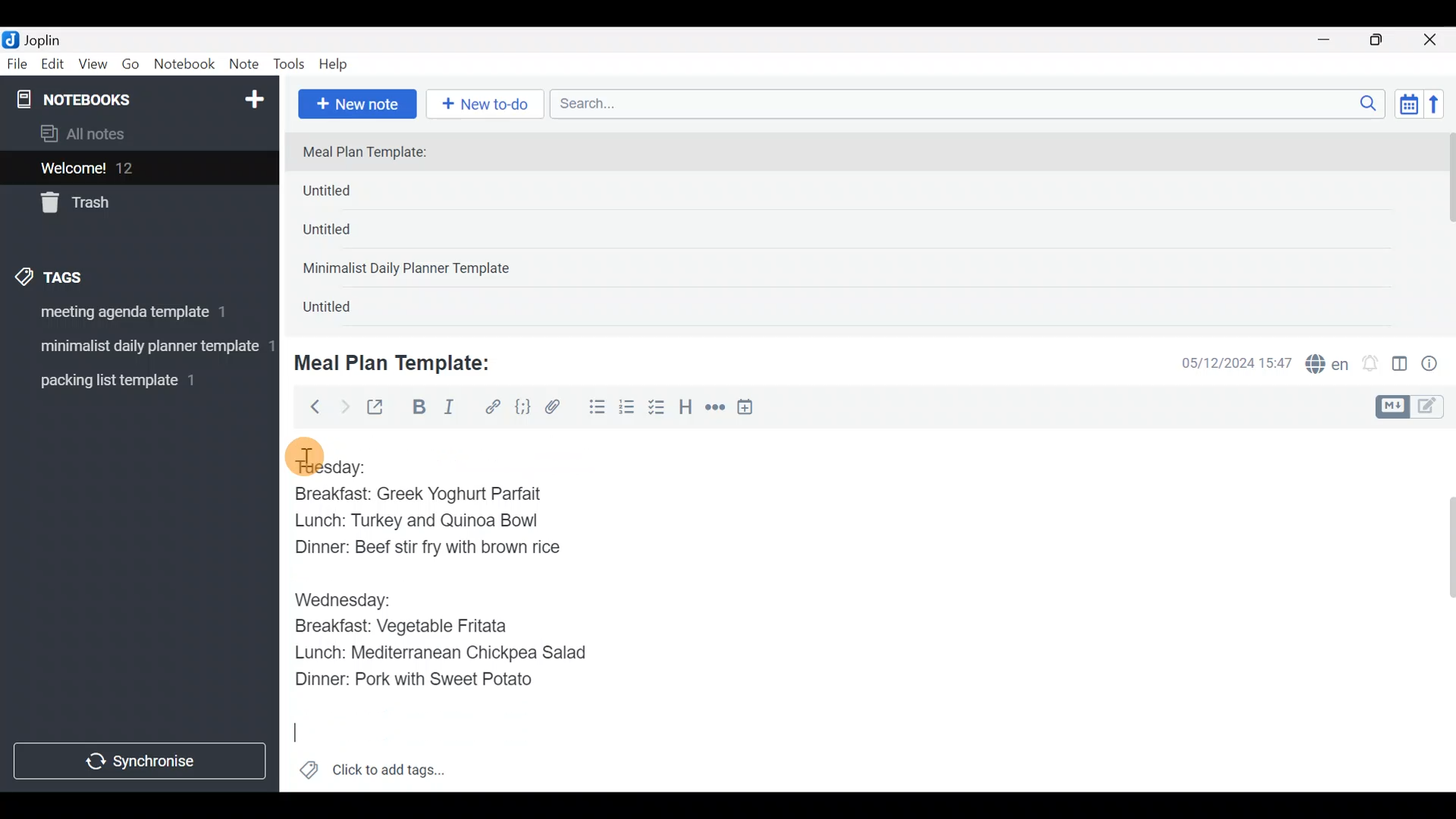 The image size is (1456, 819). Describe the element at coordinates (1225, 362) in the screenshot. I see `Date & time` at that location.